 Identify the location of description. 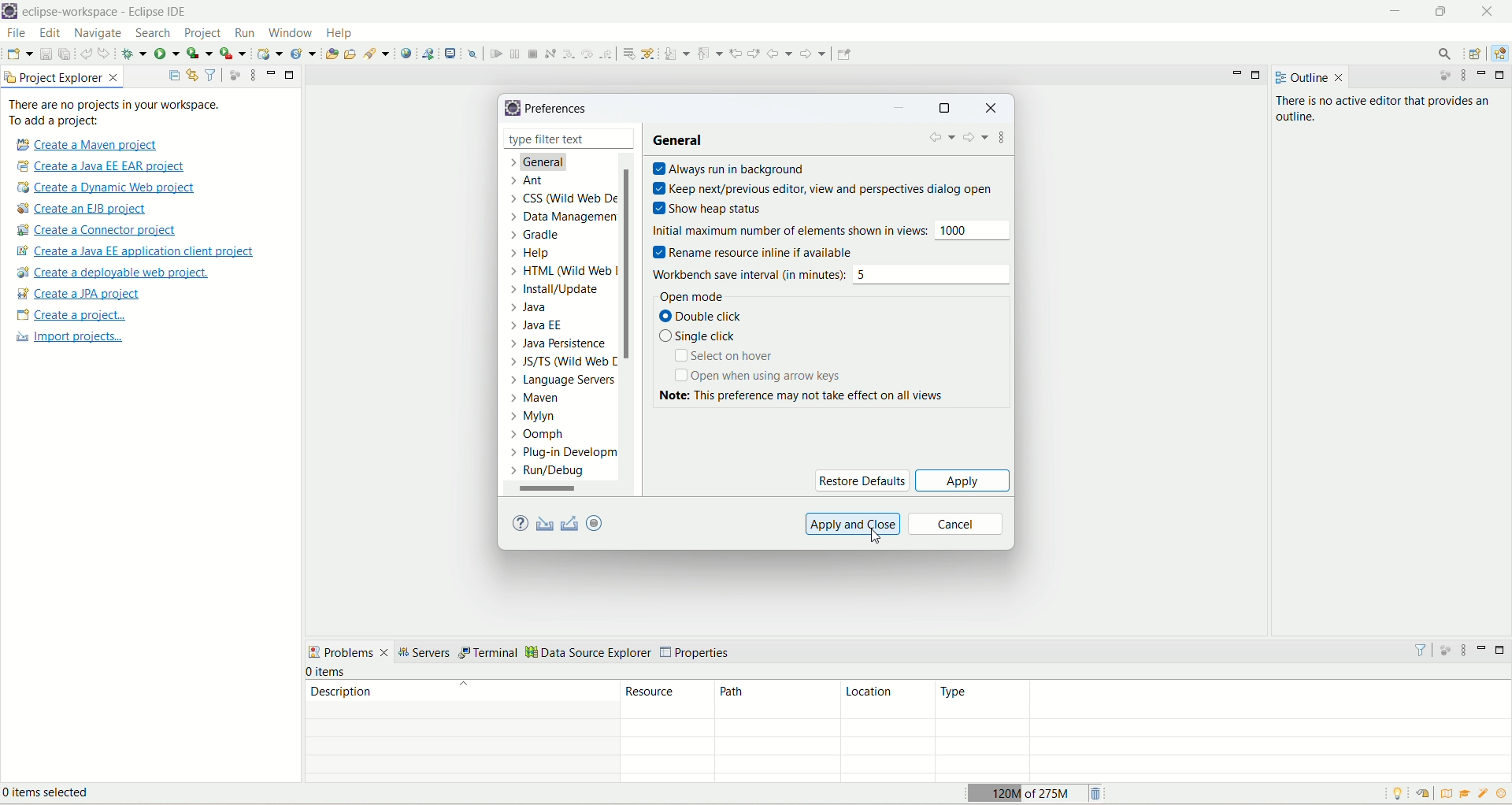
(461, 691).